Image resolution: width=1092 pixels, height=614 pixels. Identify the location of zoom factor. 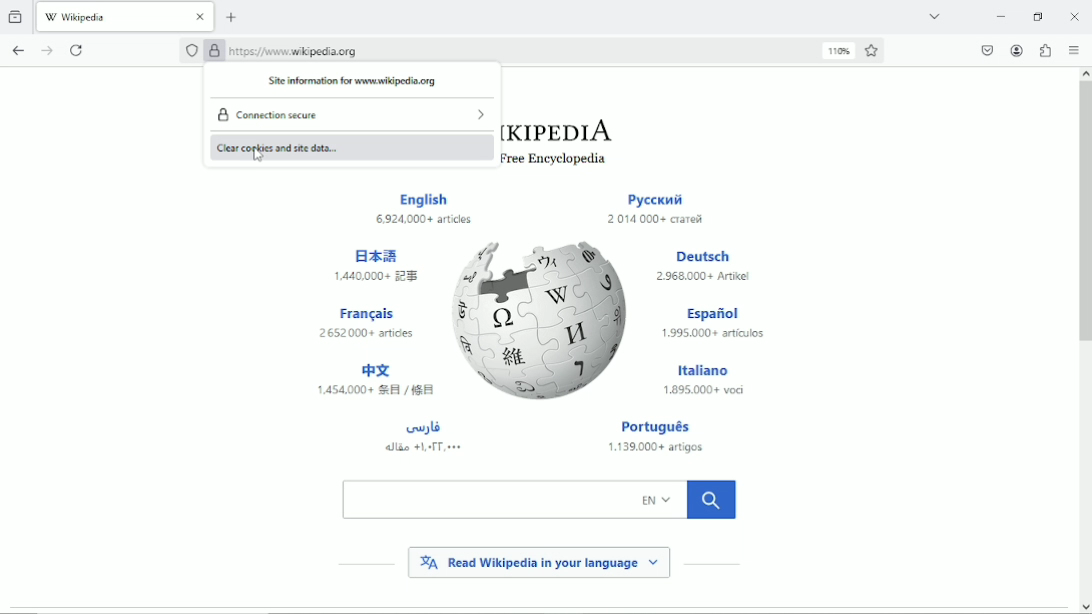
(839, 50).